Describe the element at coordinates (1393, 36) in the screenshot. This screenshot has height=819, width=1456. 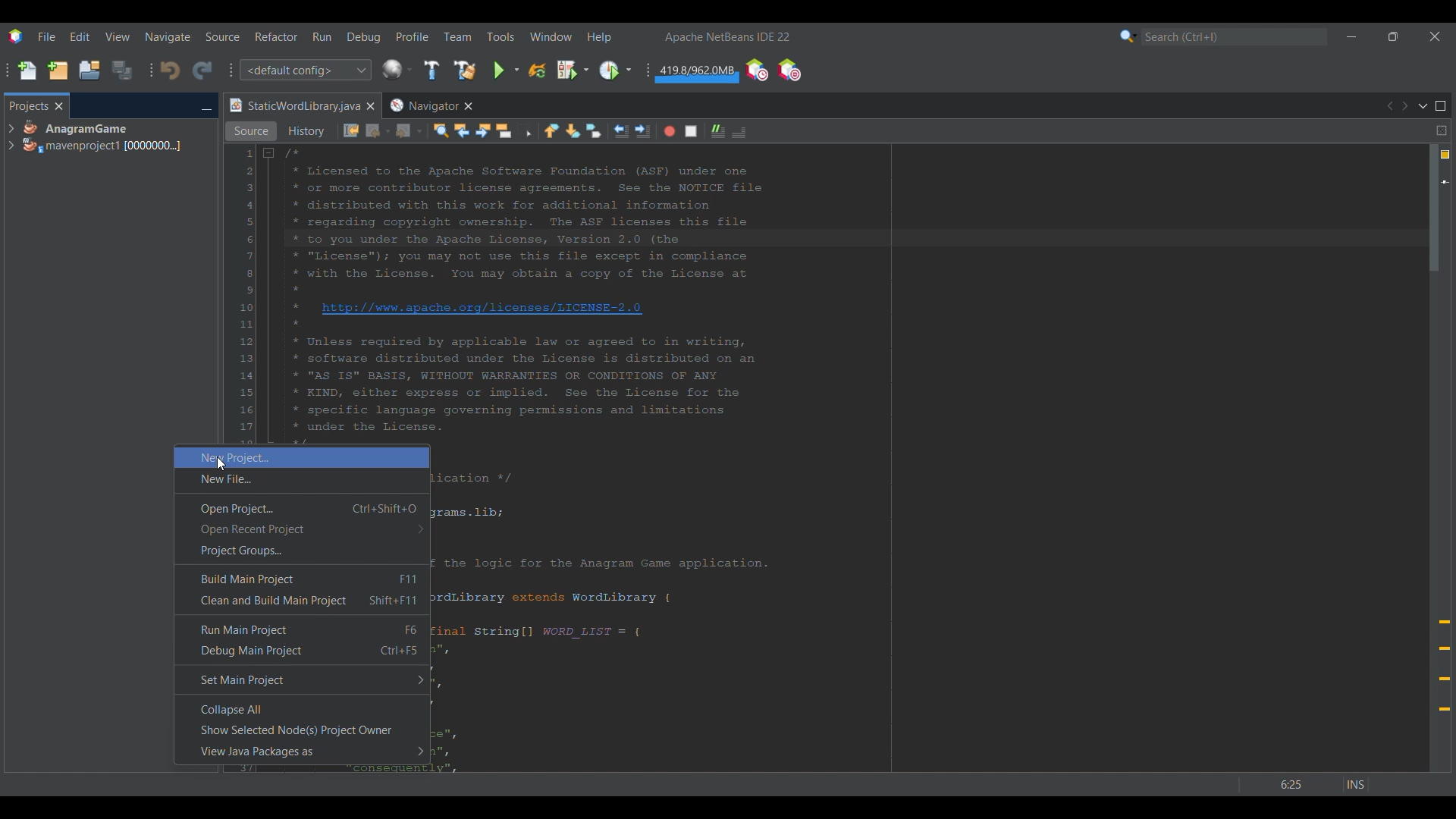
I see `Show in smaller tab` at that location.